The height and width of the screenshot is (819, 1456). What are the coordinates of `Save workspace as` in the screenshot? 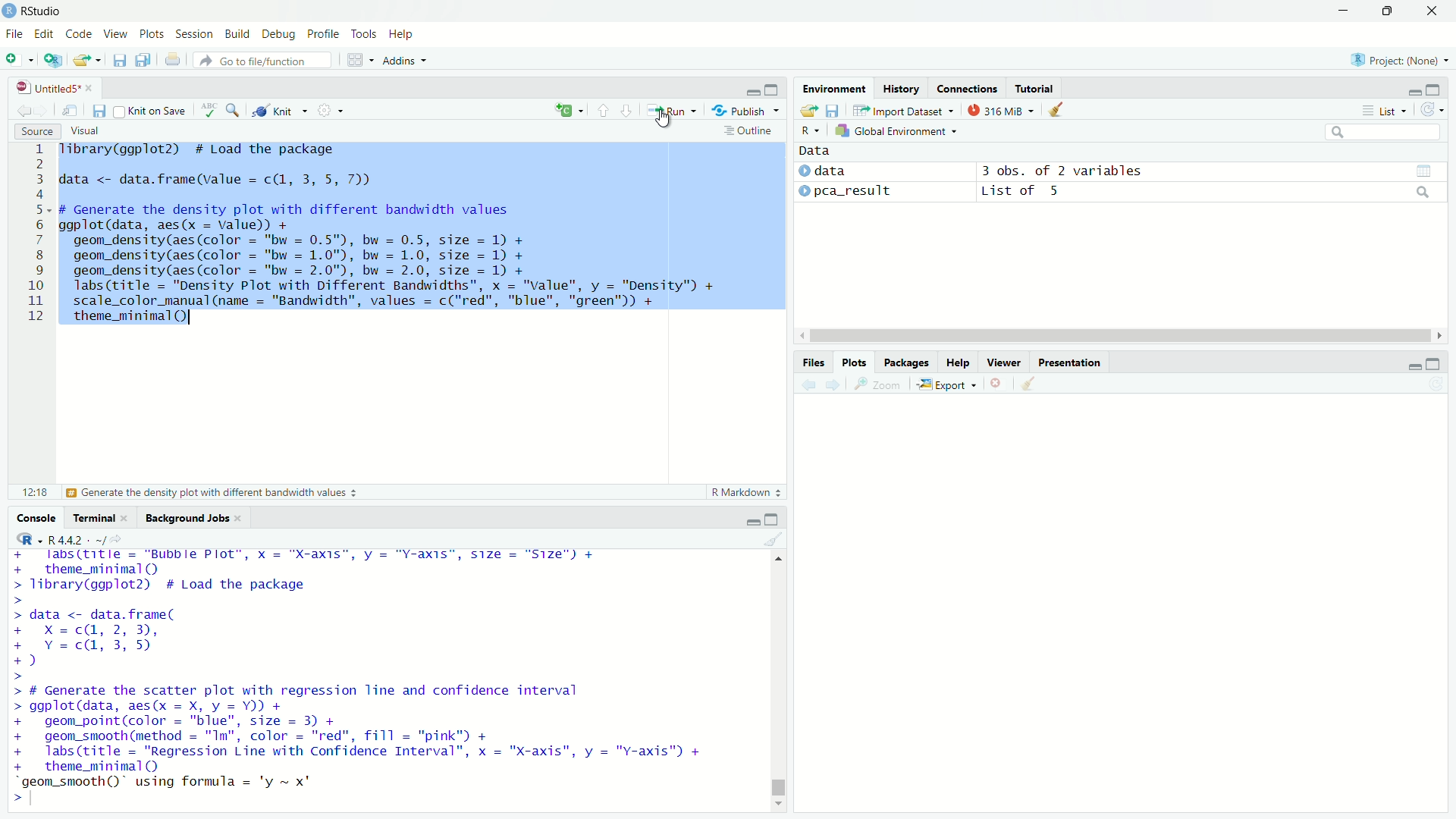 It's located at (833, 110).